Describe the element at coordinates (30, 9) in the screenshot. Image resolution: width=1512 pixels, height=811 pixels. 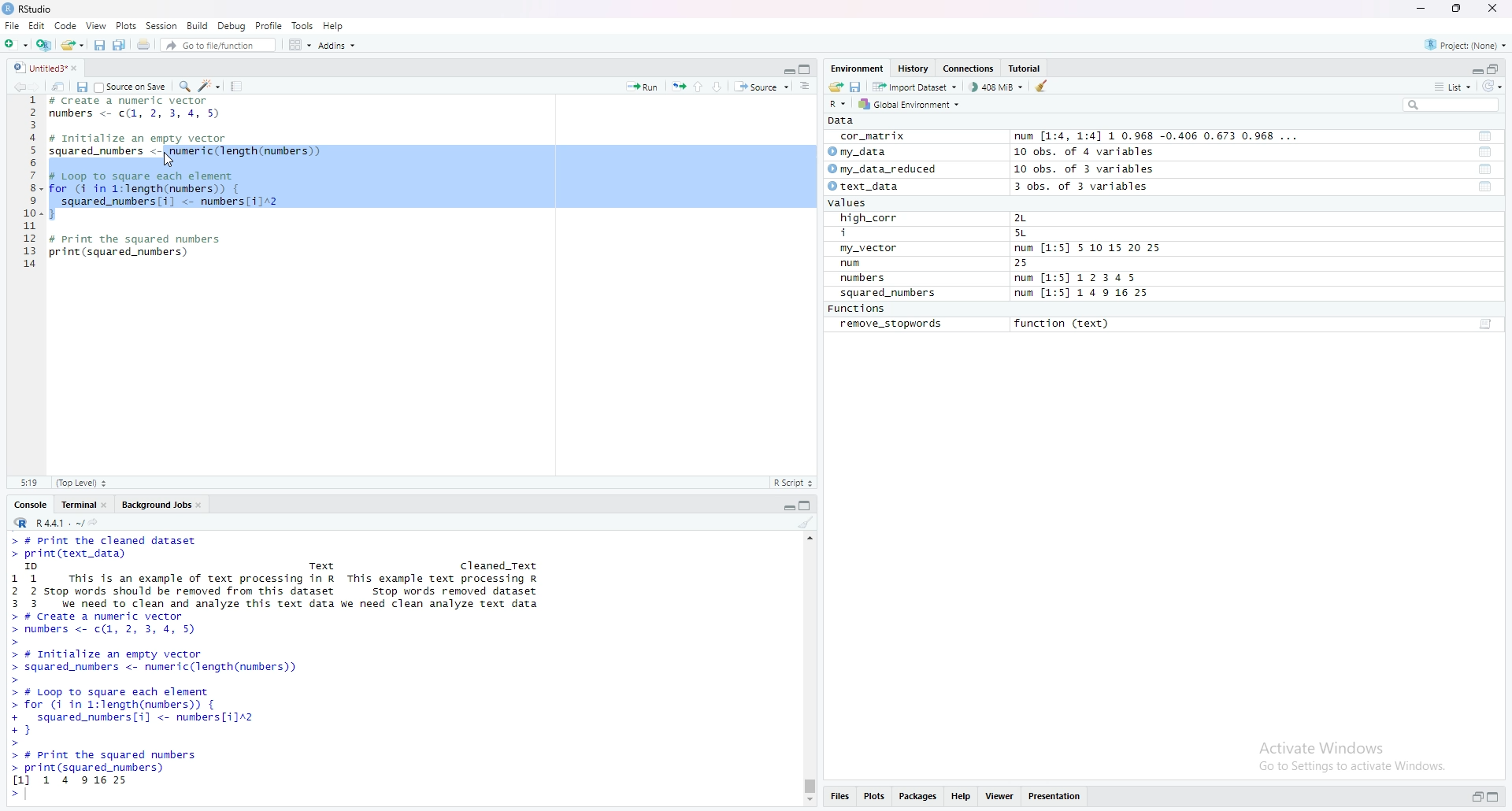
I see `RStudio` at that location.